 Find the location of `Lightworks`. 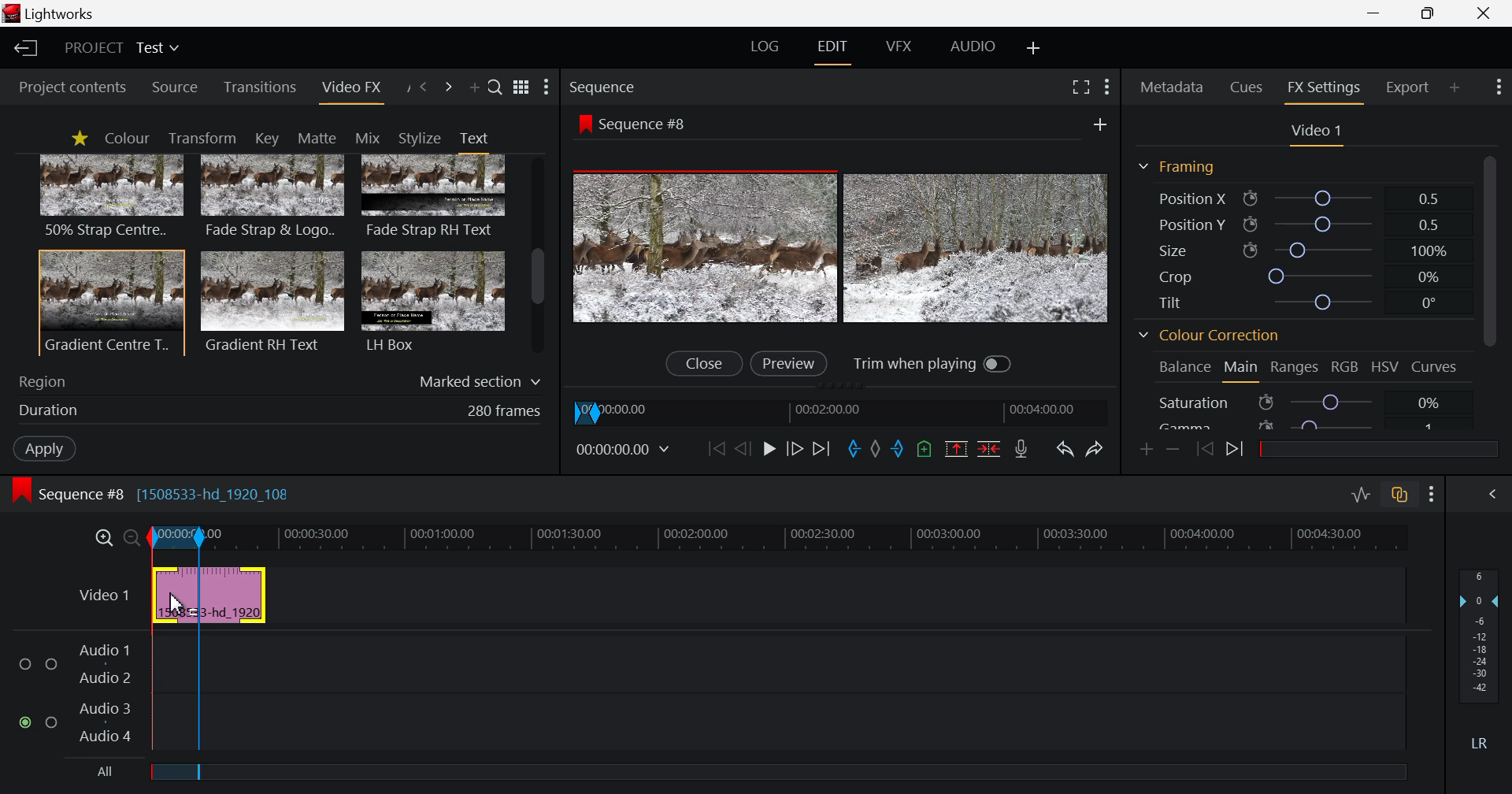

Lightworks is located at coordinates (57, 14).